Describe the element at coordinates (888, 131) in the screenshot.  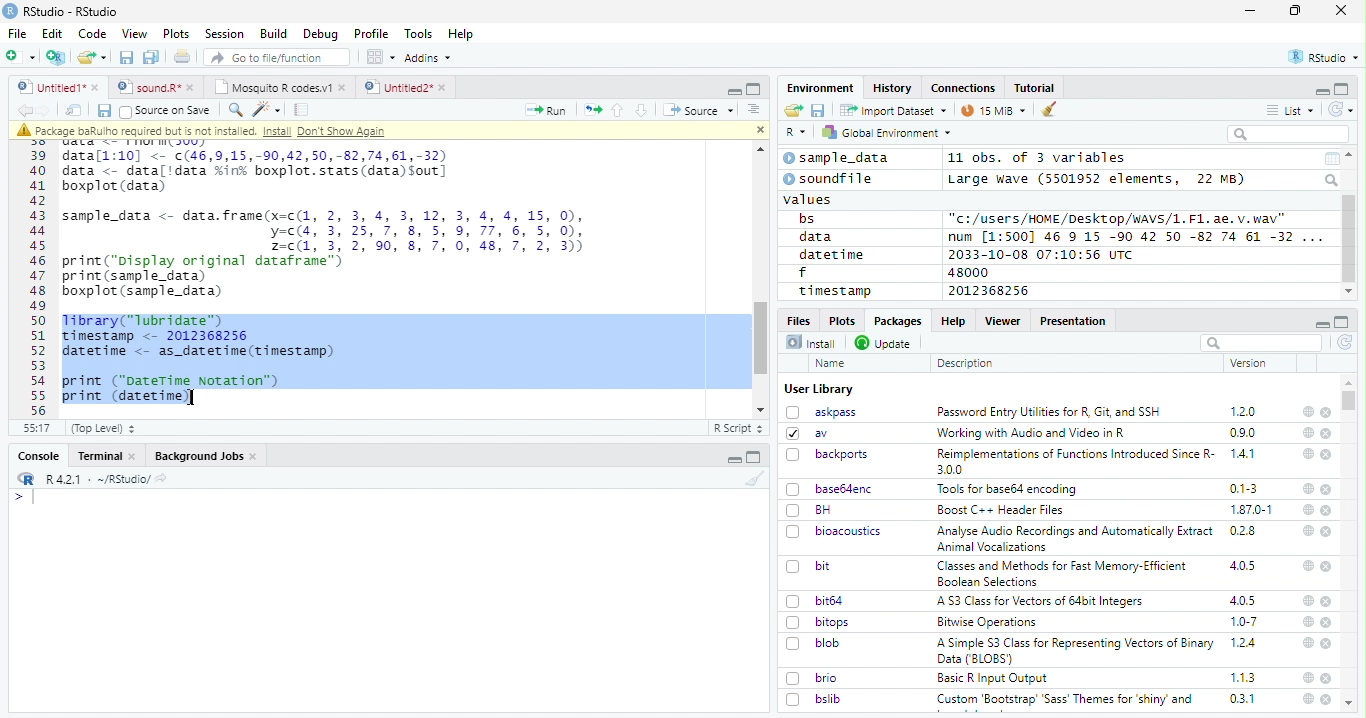
I see `Global Environment` at that location.